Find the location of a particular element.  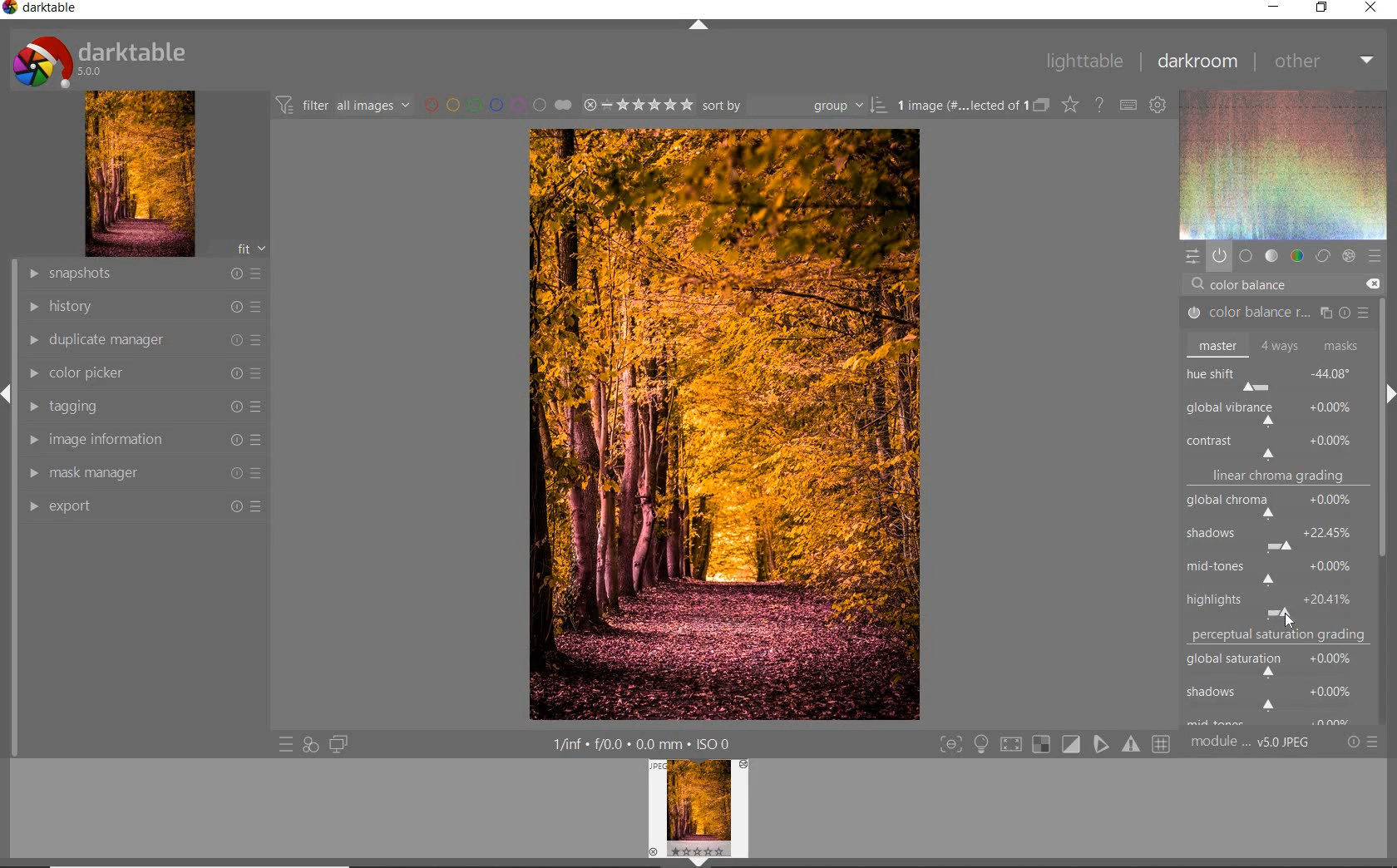

selected image range rating is located at coordinates (638, 106).